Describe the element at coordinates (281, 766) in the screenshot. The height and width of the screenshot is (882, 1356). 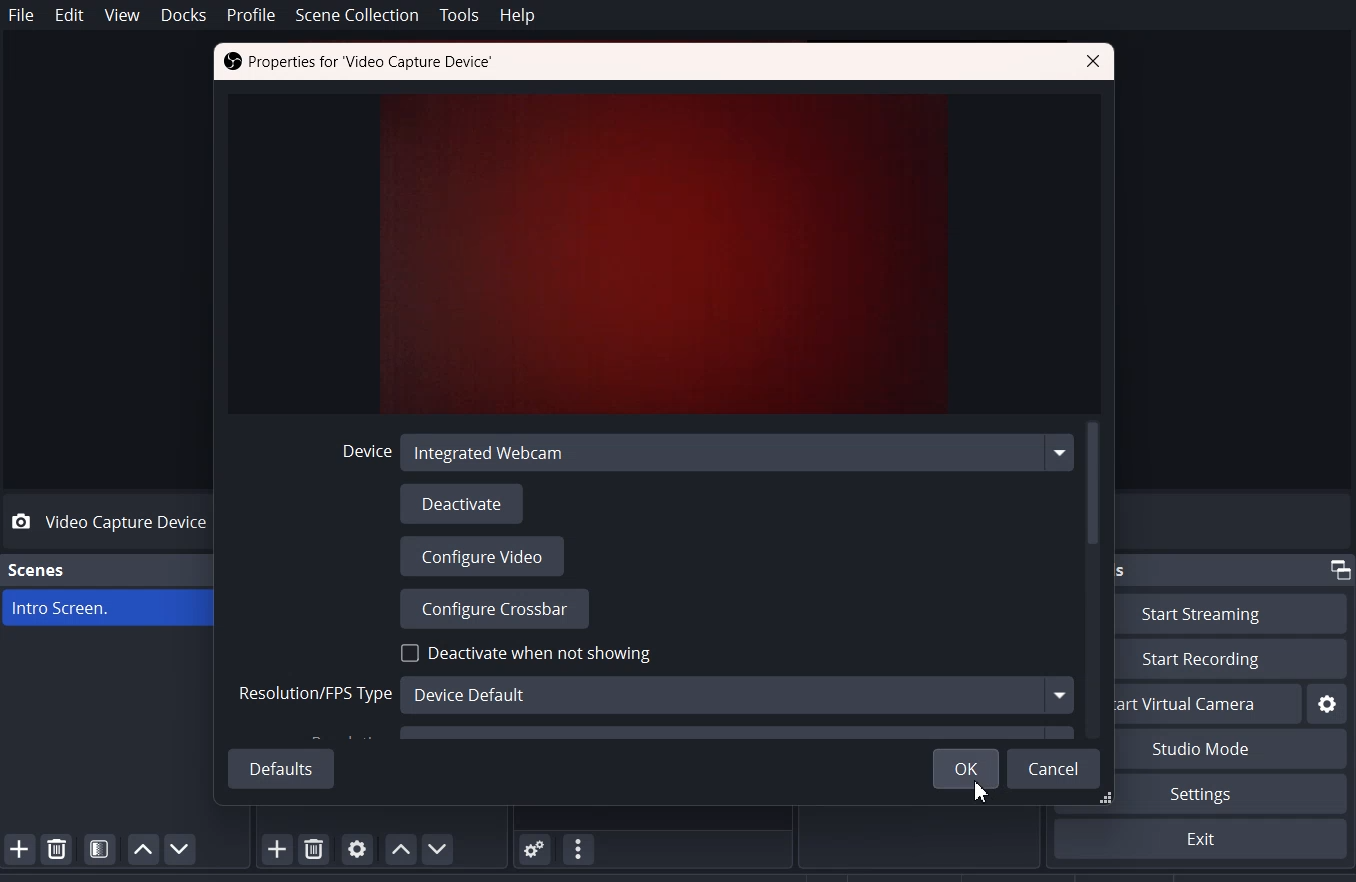
I see `Default` at that location.